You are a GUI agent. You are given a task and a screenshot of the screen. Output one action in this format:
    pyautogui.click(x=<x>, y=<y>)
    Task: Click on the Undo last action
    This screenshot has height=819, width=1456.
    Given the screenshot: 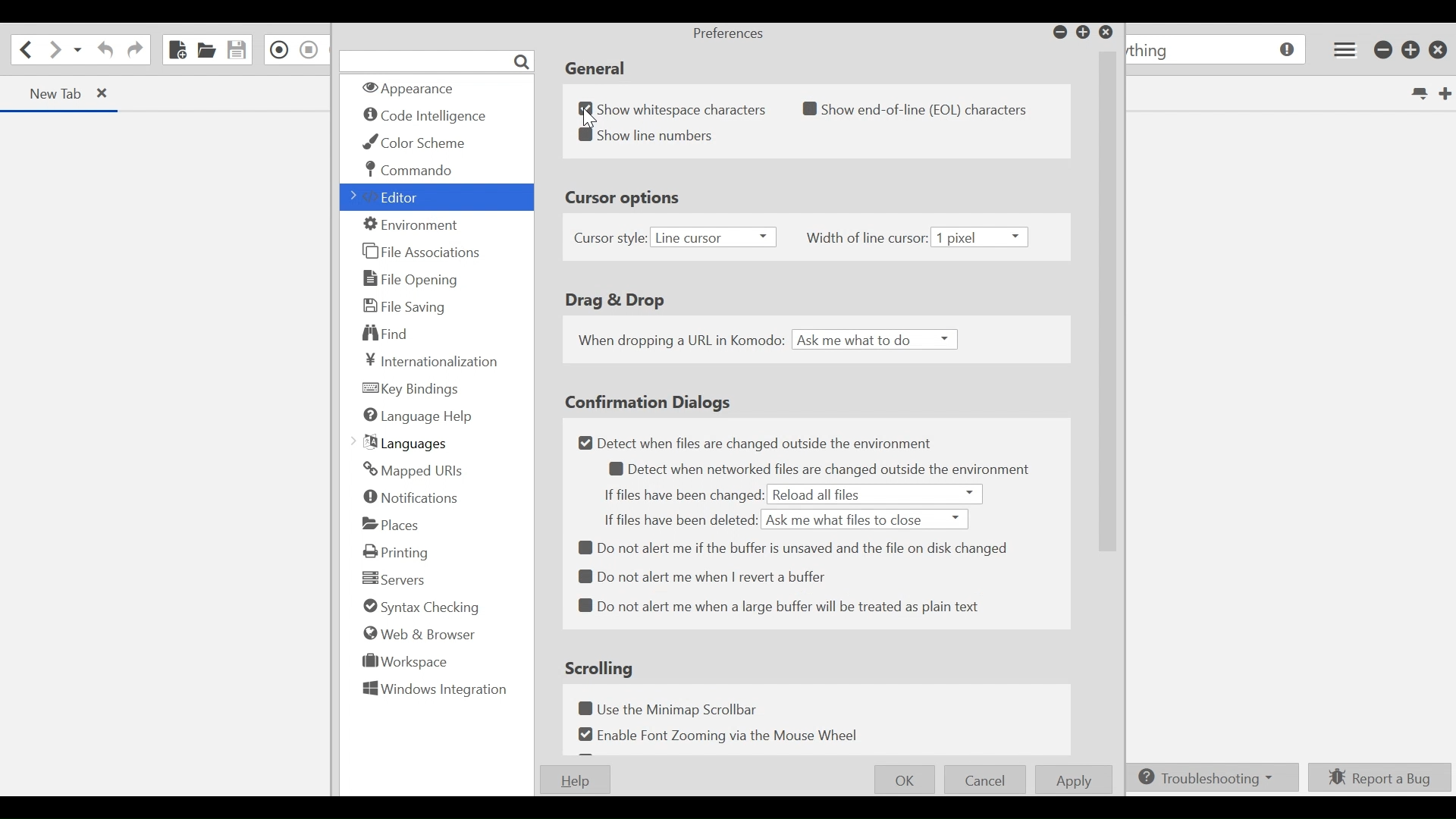 What is the action you would take?
    pyautogui.click(x=106, y=50)
    